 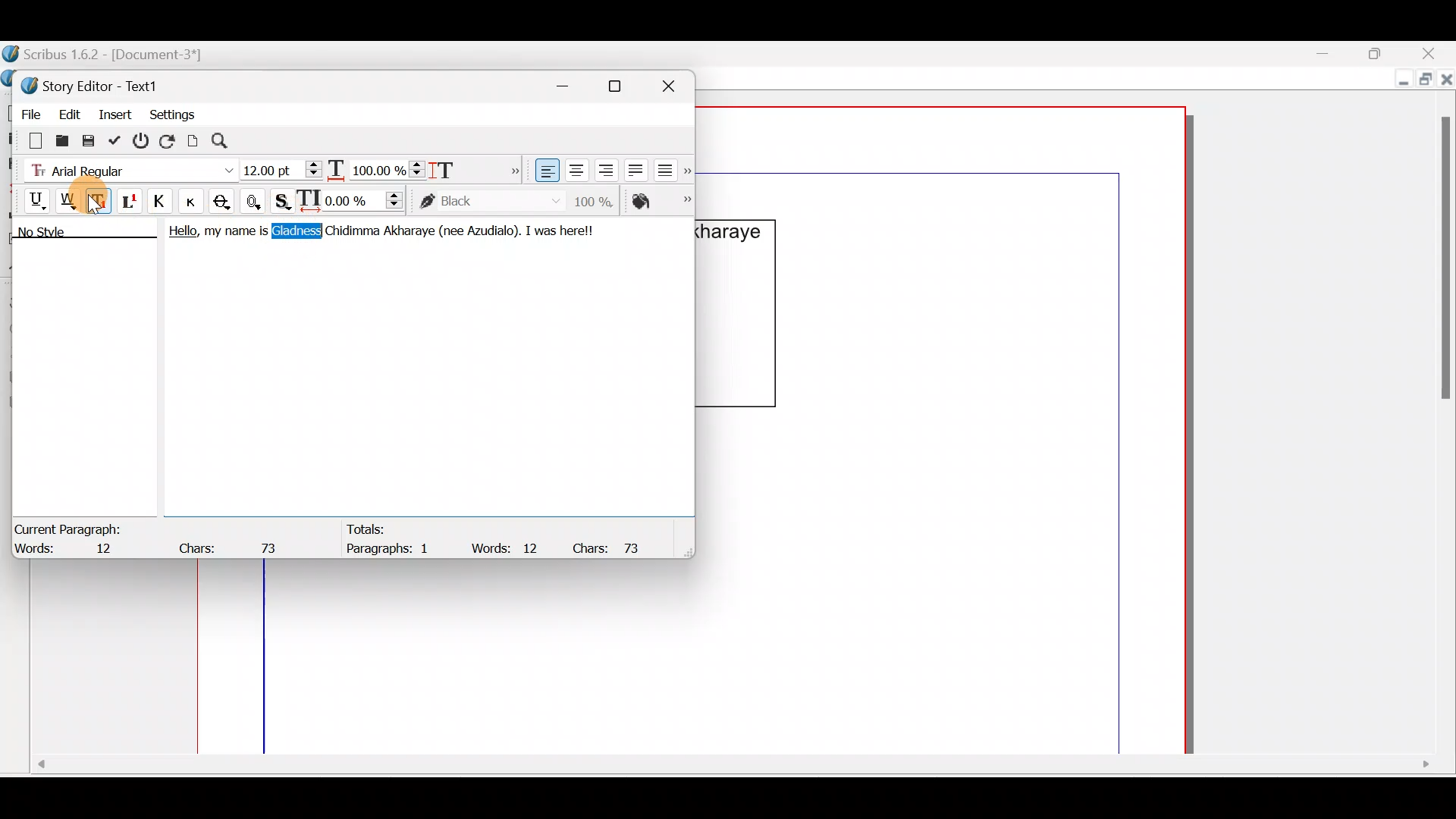 What do you see at coordinates (30, 199) in the screenshot?
I see `Underline` at bounding box center [30, 199].